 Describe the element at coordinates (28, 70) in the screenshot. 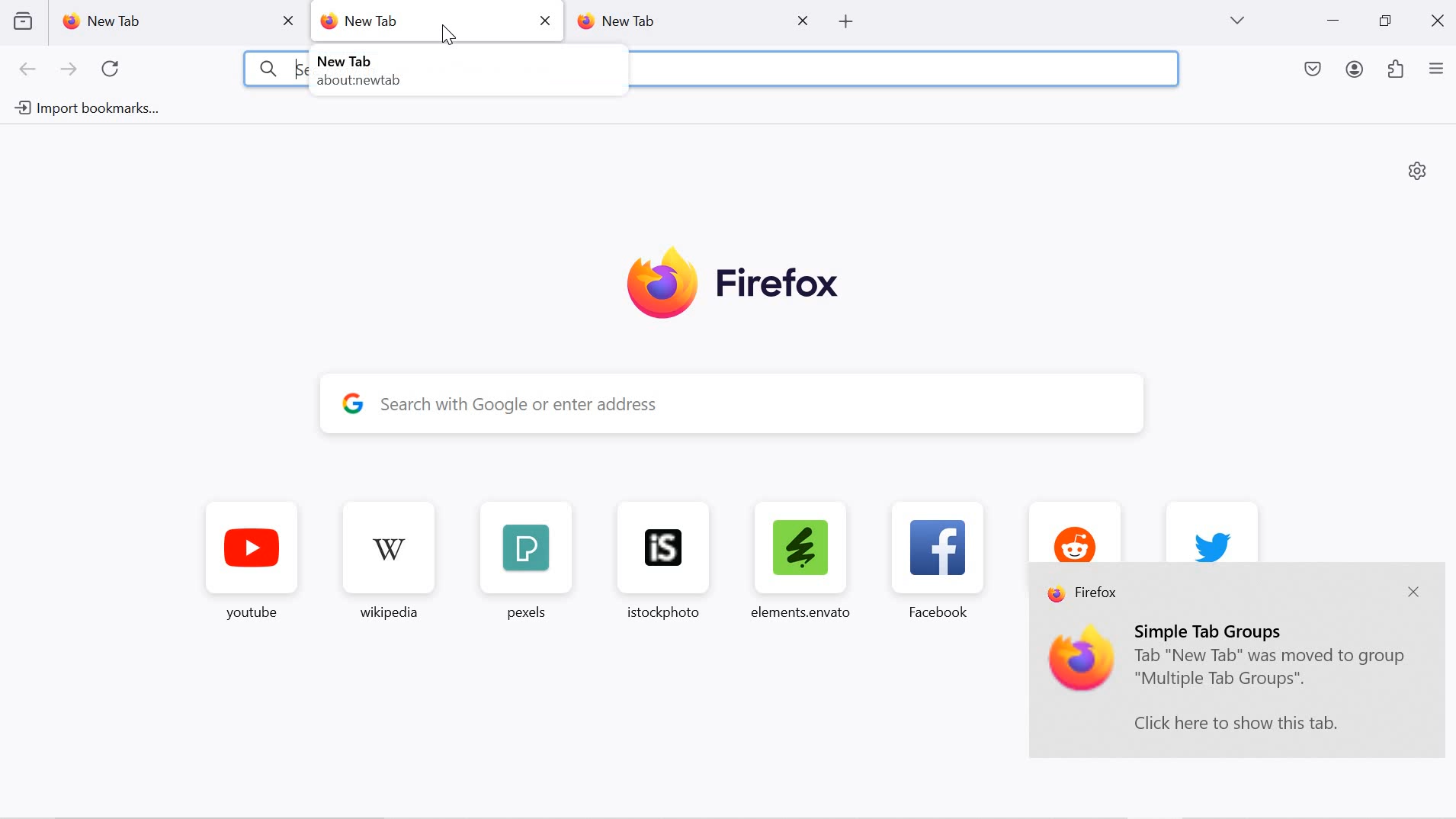

I see `go back` at that location.